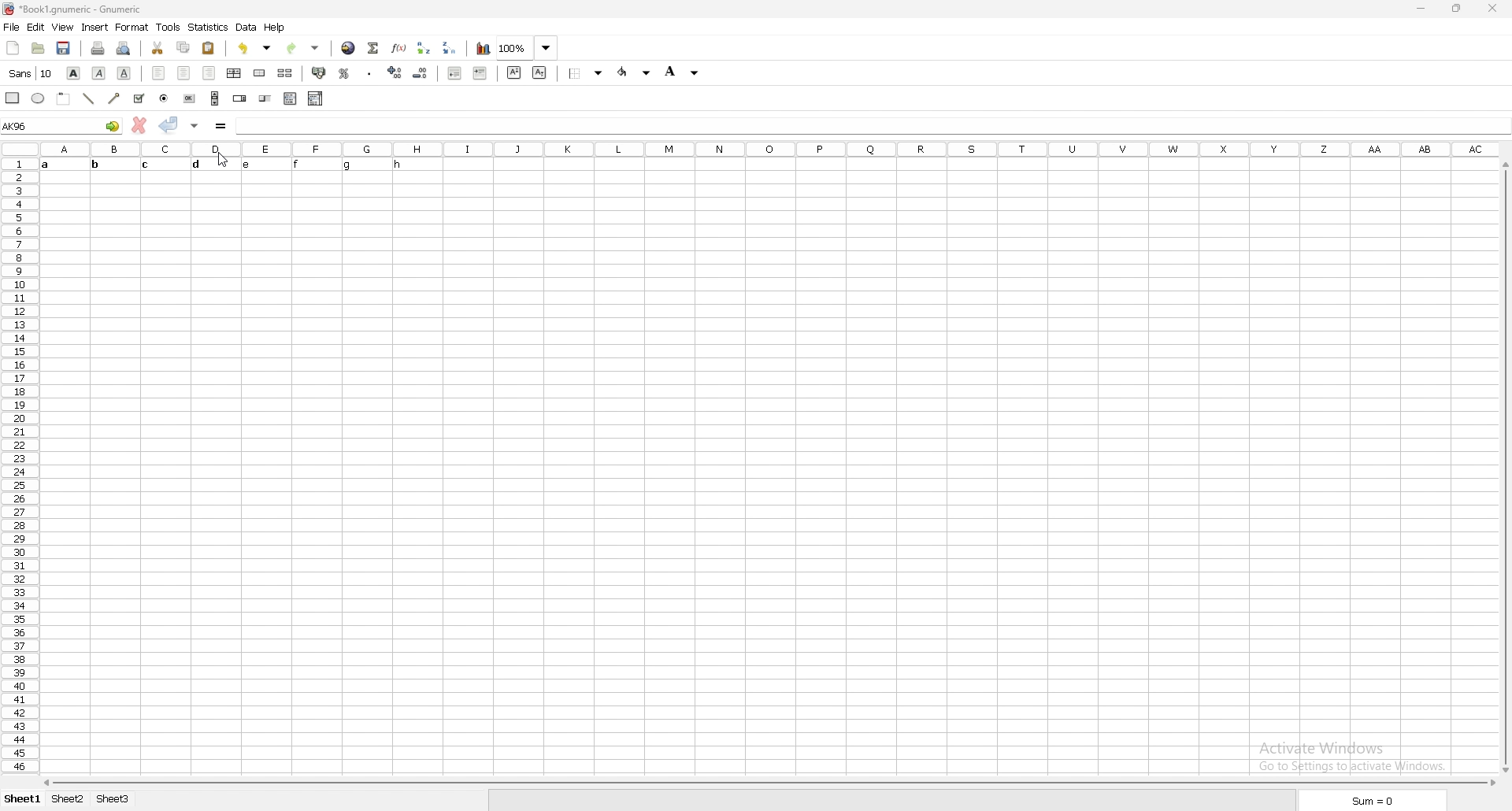 The image size is (1512, 811). Describe the element at coordinates (225, 166) in the screenshot. I see `TEXT` at that location.